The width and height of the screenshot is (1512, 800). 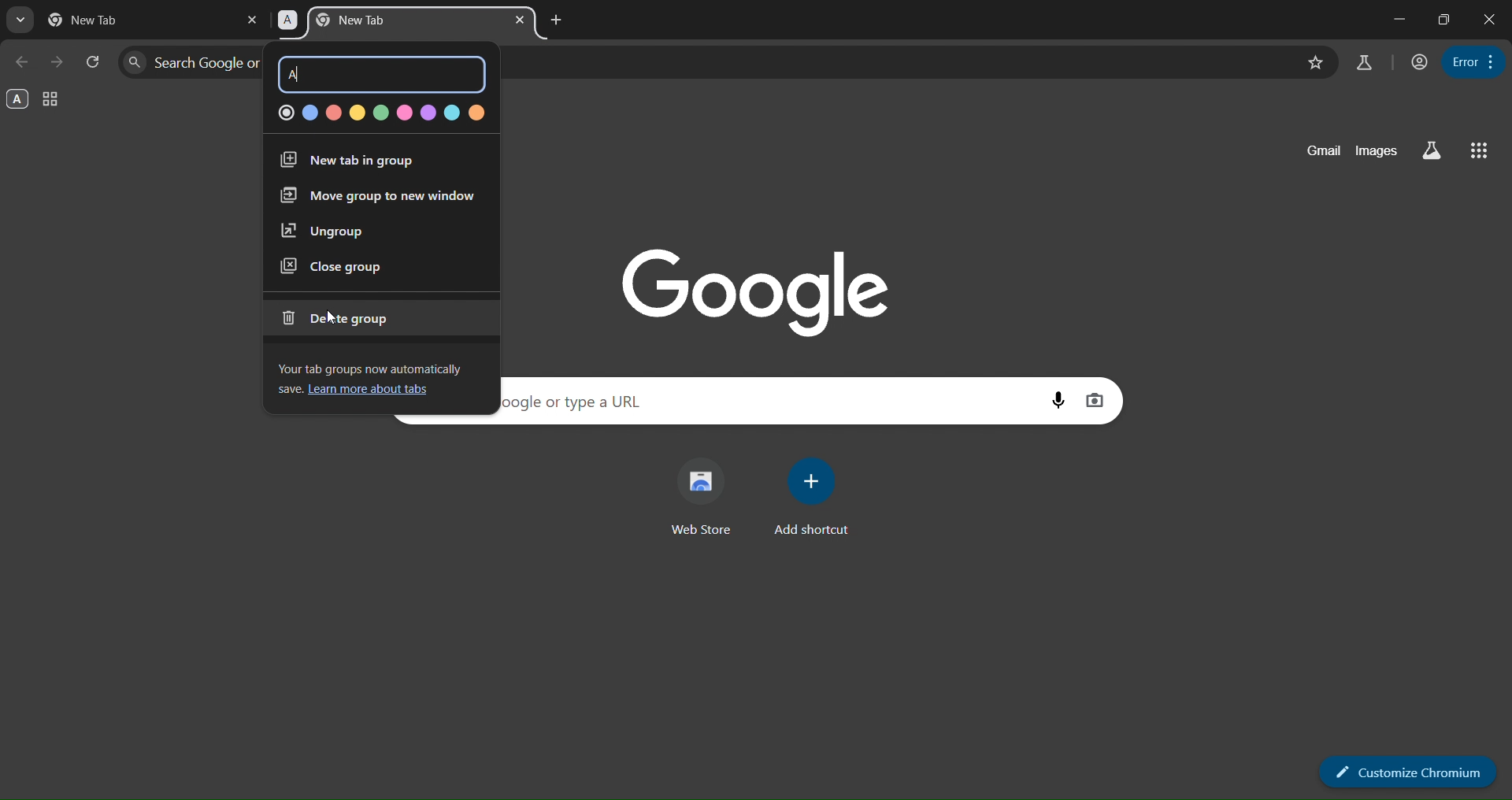 I want to click on new tab, so click(x=102, y=20).